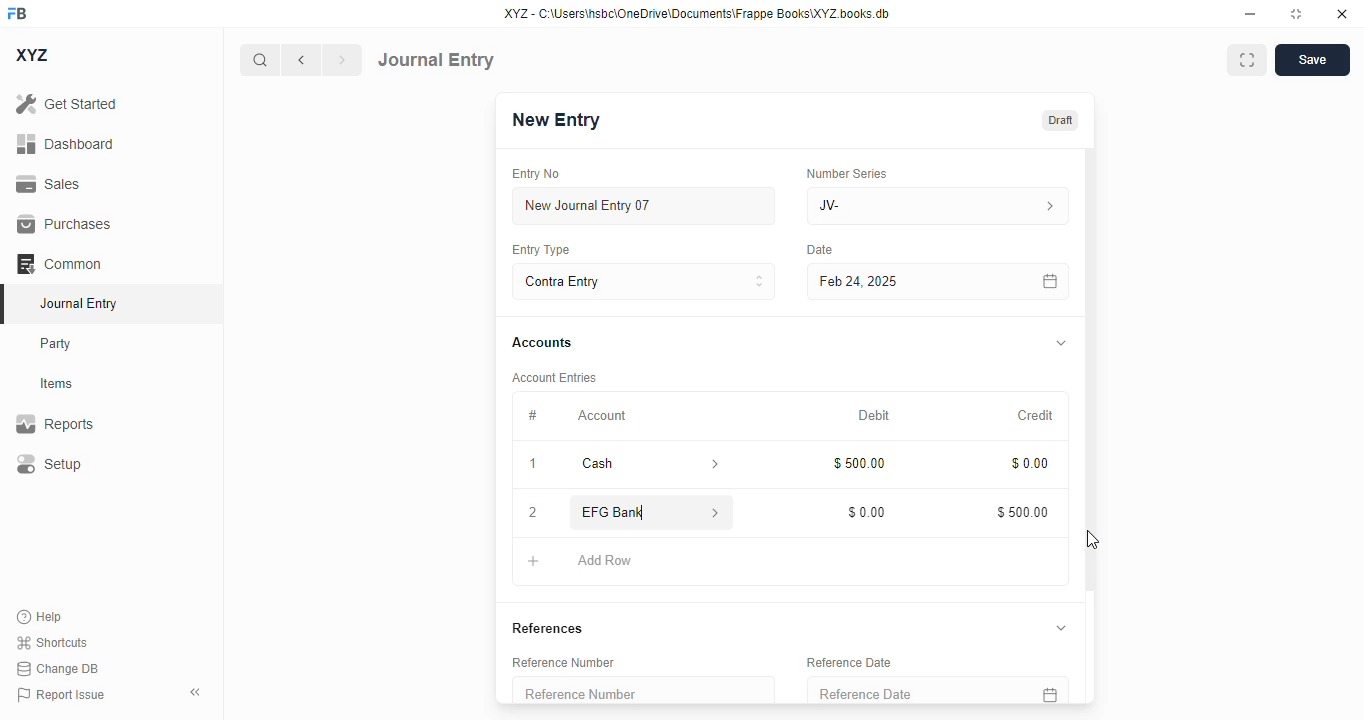  I want to click on toggle sidebar, so click(197, 692).